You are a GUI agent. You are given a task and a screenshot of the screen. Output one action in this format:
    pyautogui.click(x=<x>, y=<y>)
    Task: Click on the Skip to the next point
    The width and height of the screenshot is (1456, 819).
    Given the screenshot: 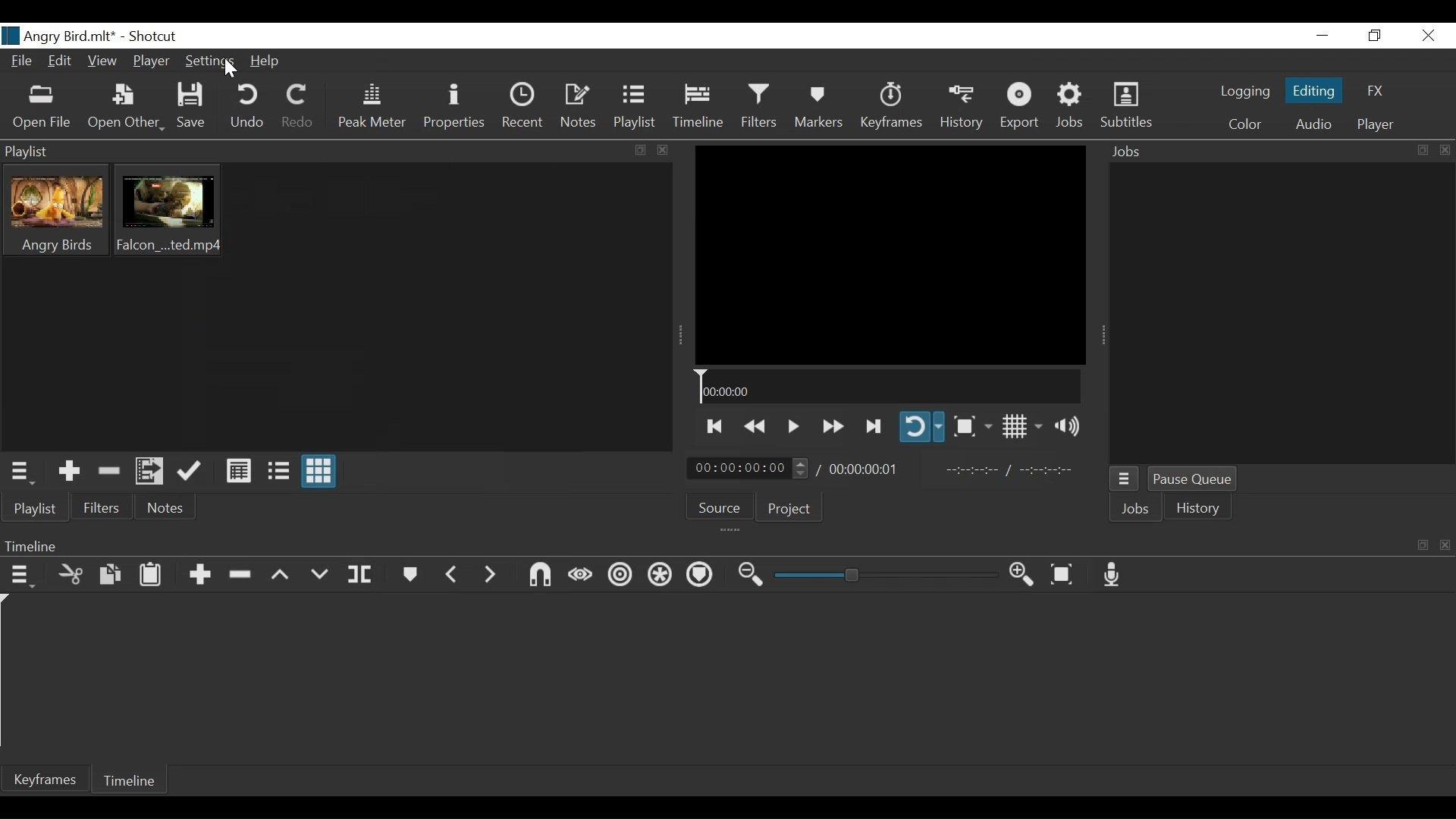 What is the action you would take?
    pyautogui.click(x=714, y=427)
    